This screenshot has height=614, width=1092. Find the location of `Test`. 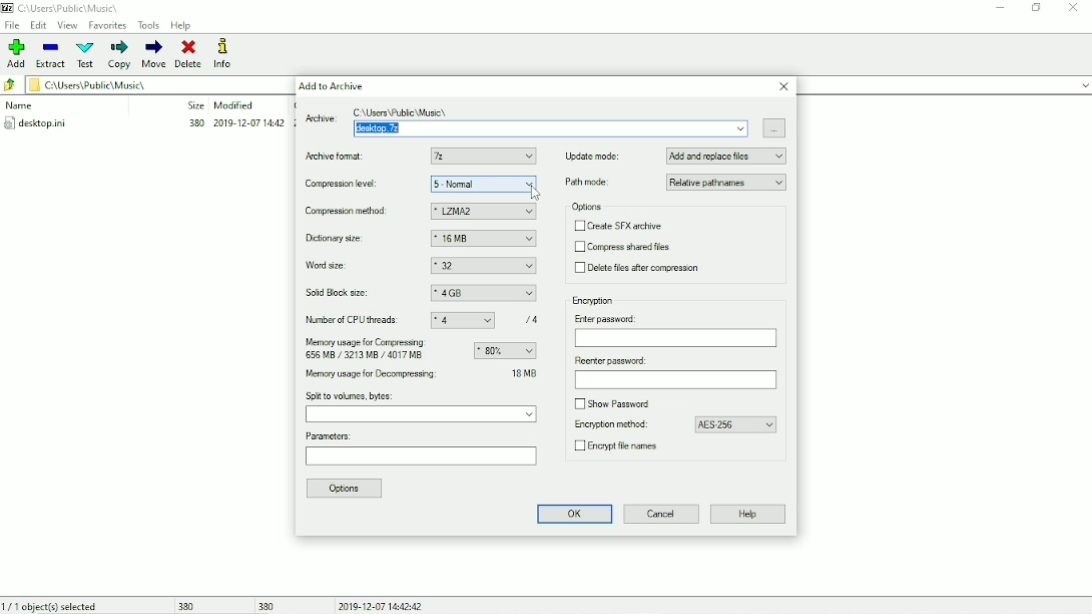

Test is located at coordinates (86, 55).